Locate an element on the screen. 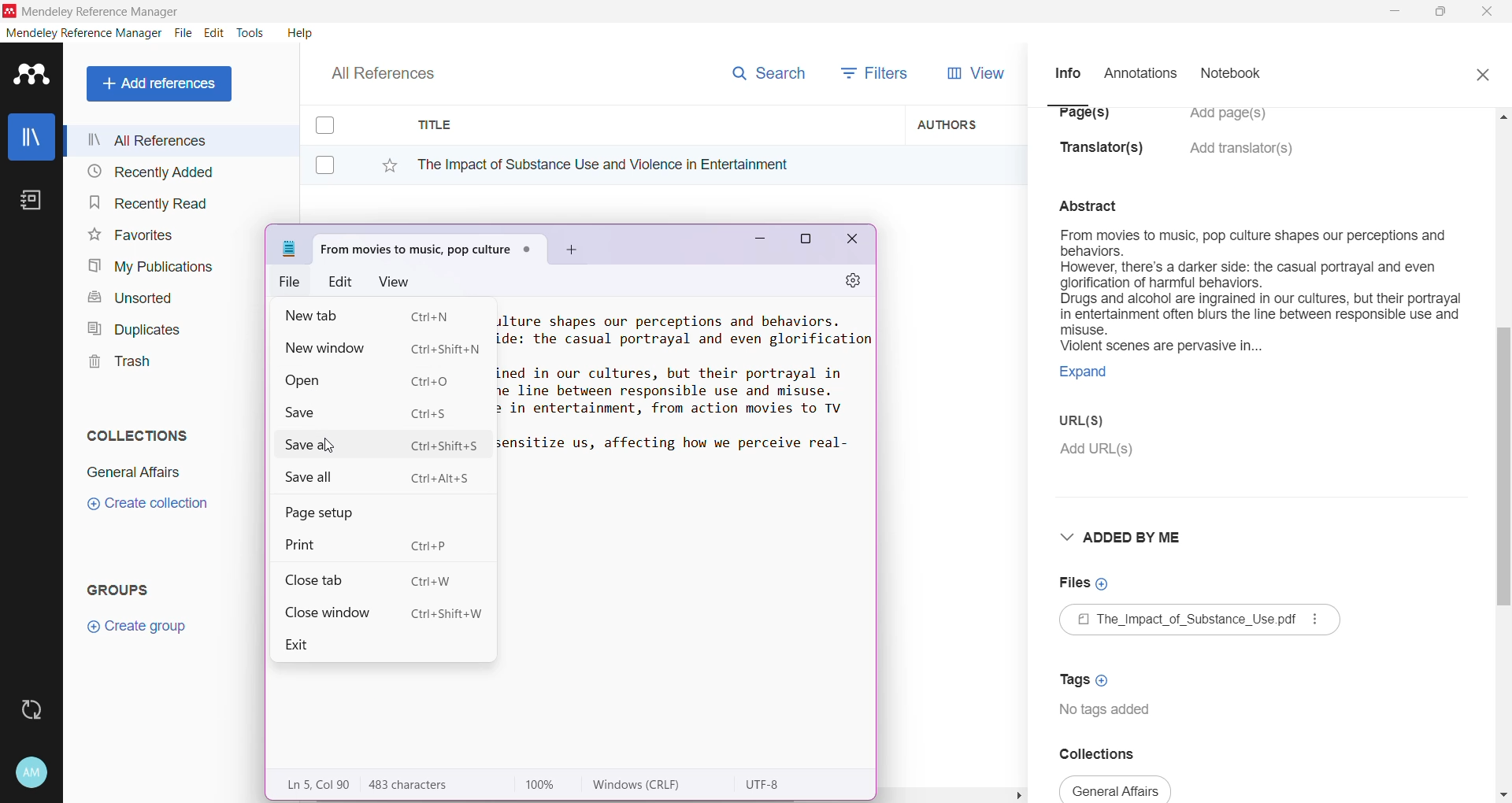 The image size is (1512, 803). Restore Down is located at coordinates (1442, 13).